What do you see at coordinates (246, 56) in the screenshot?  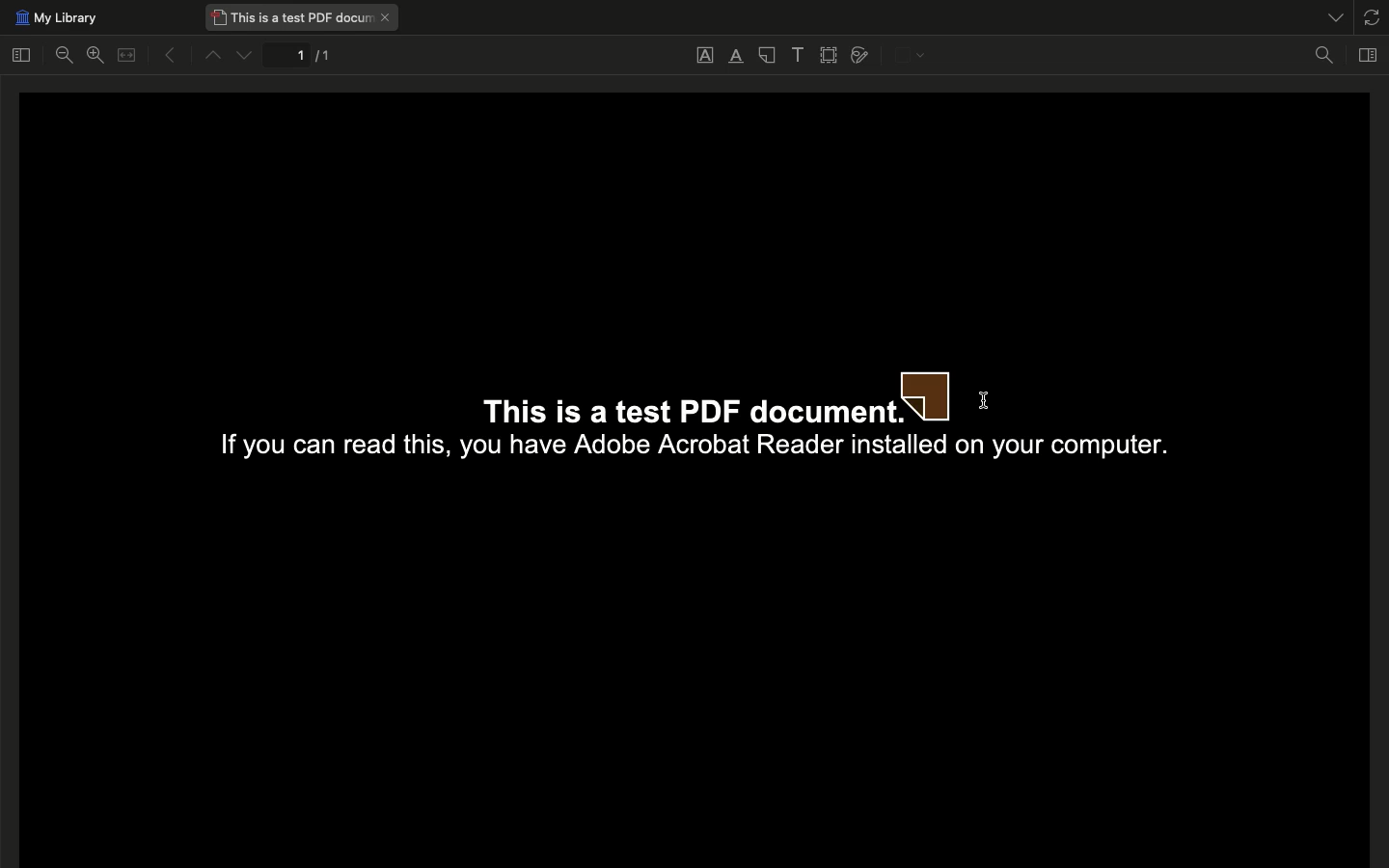 I see `Down` at bounding box center [246, 56].